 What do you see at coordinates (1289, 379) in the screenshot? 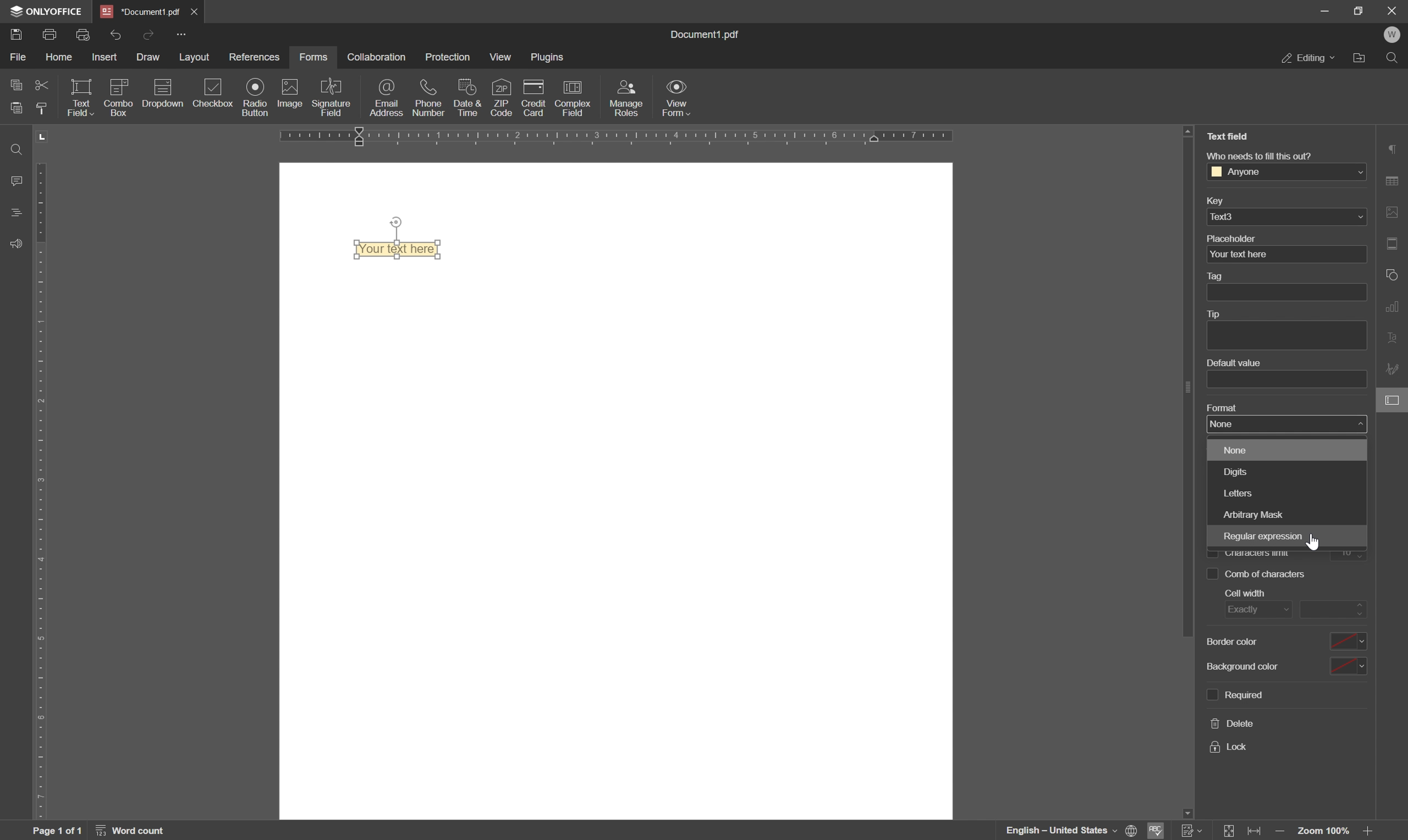
I see `default value textbox` at bounding box center [1289, 379].